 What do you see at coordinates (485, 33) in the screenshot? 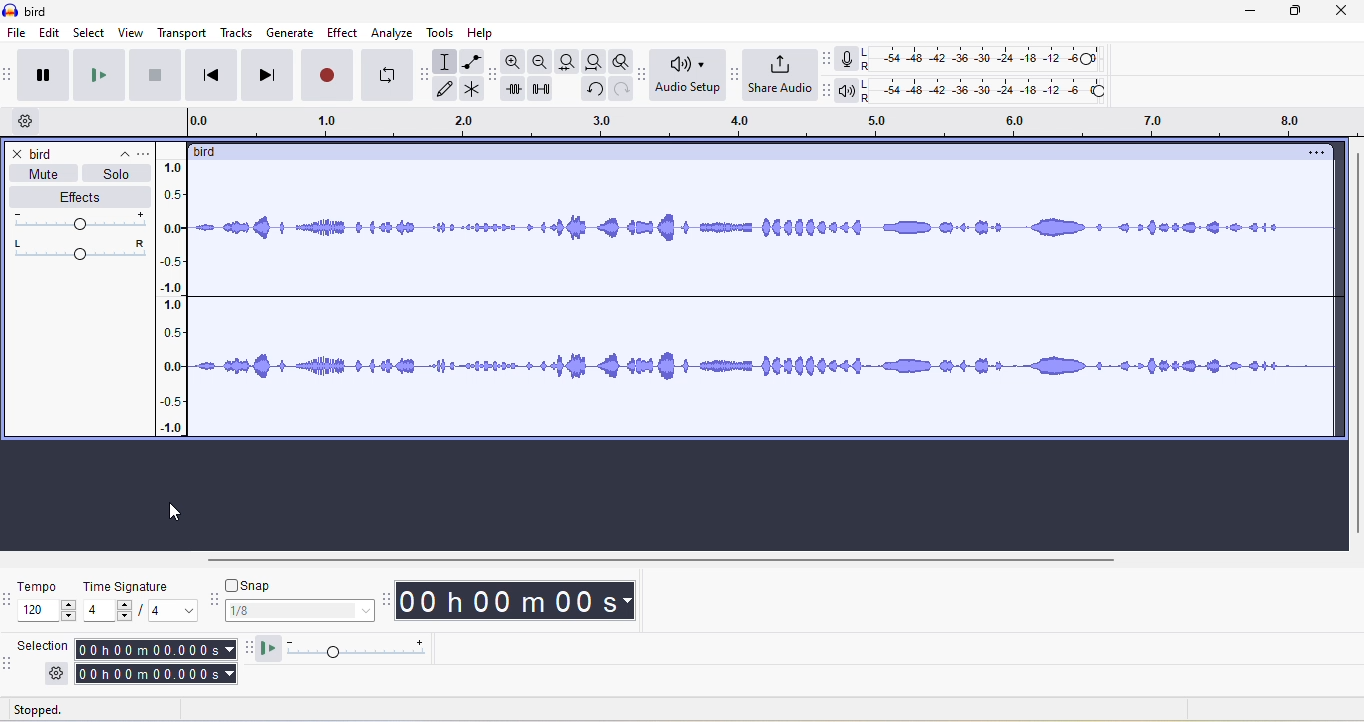
I see `help` at bounding box center [485, 33].